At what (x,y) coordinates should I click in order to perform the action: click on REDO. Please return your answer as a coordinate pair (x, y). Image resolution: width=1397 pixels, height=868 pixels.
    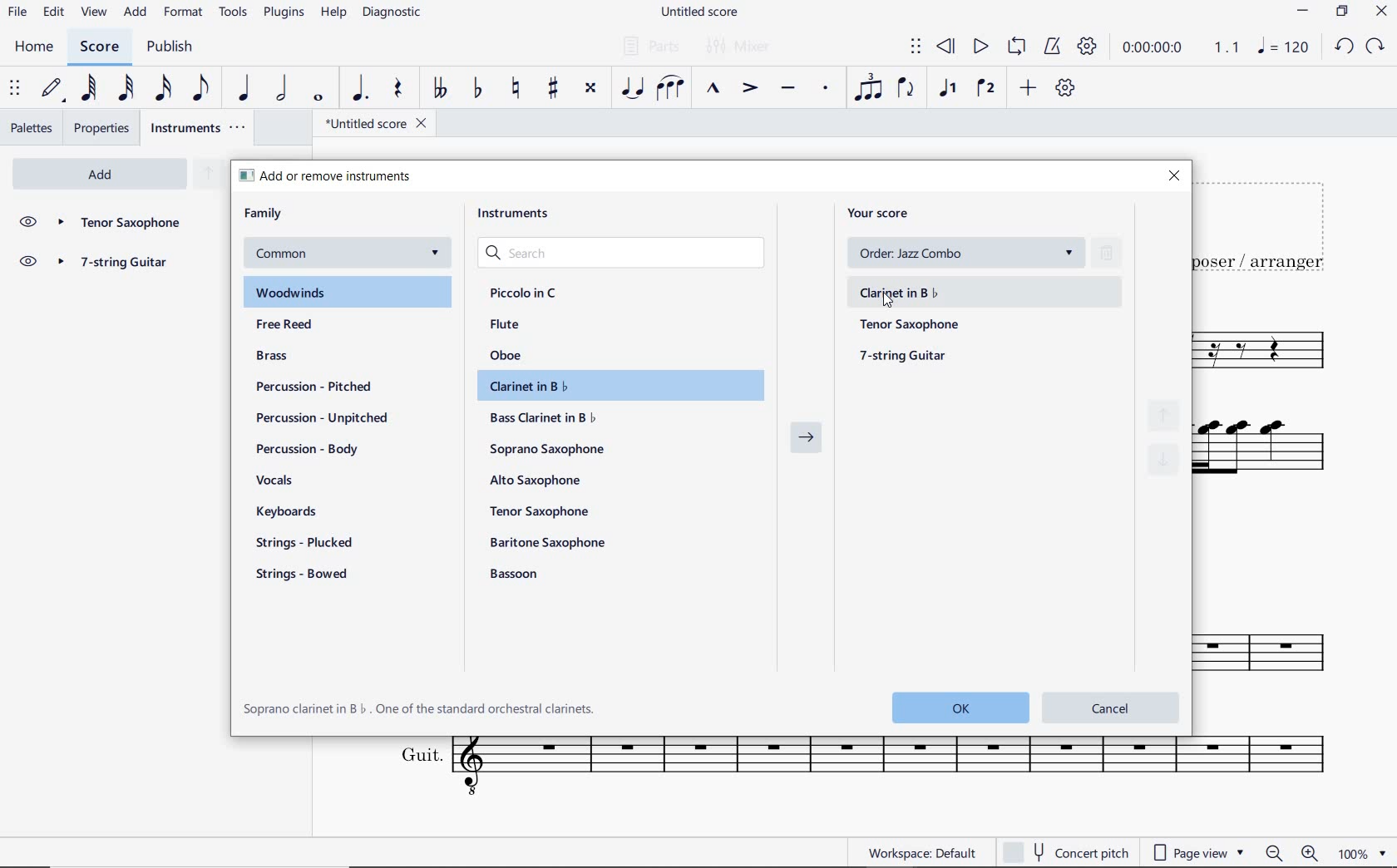
    Looking at the image, I should click on (1374, 47).